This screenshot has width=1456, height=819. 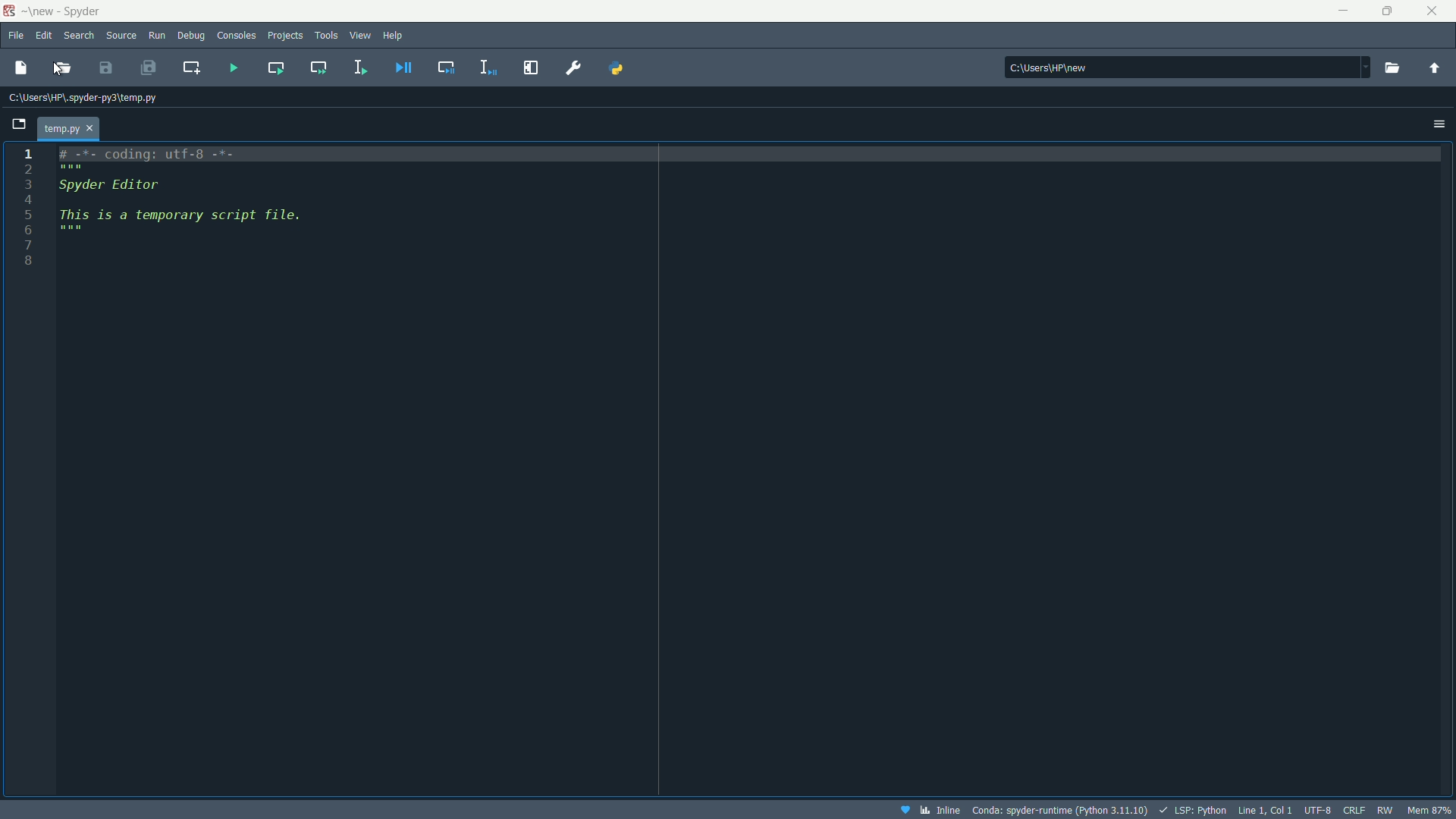 I want to click on Run selection or current line, so click(x=359, y=70).